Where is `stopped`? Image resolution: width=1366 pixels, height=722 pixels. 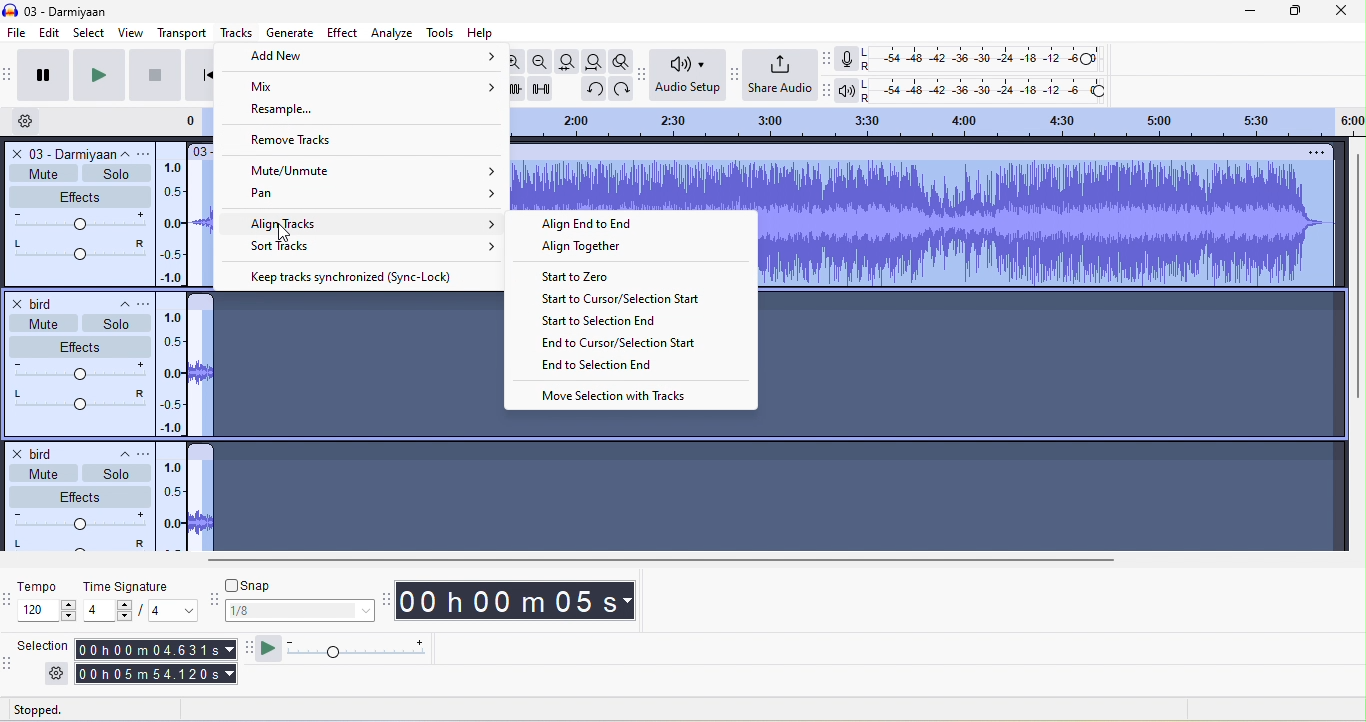 stopped is located at coordinates (61, 709).